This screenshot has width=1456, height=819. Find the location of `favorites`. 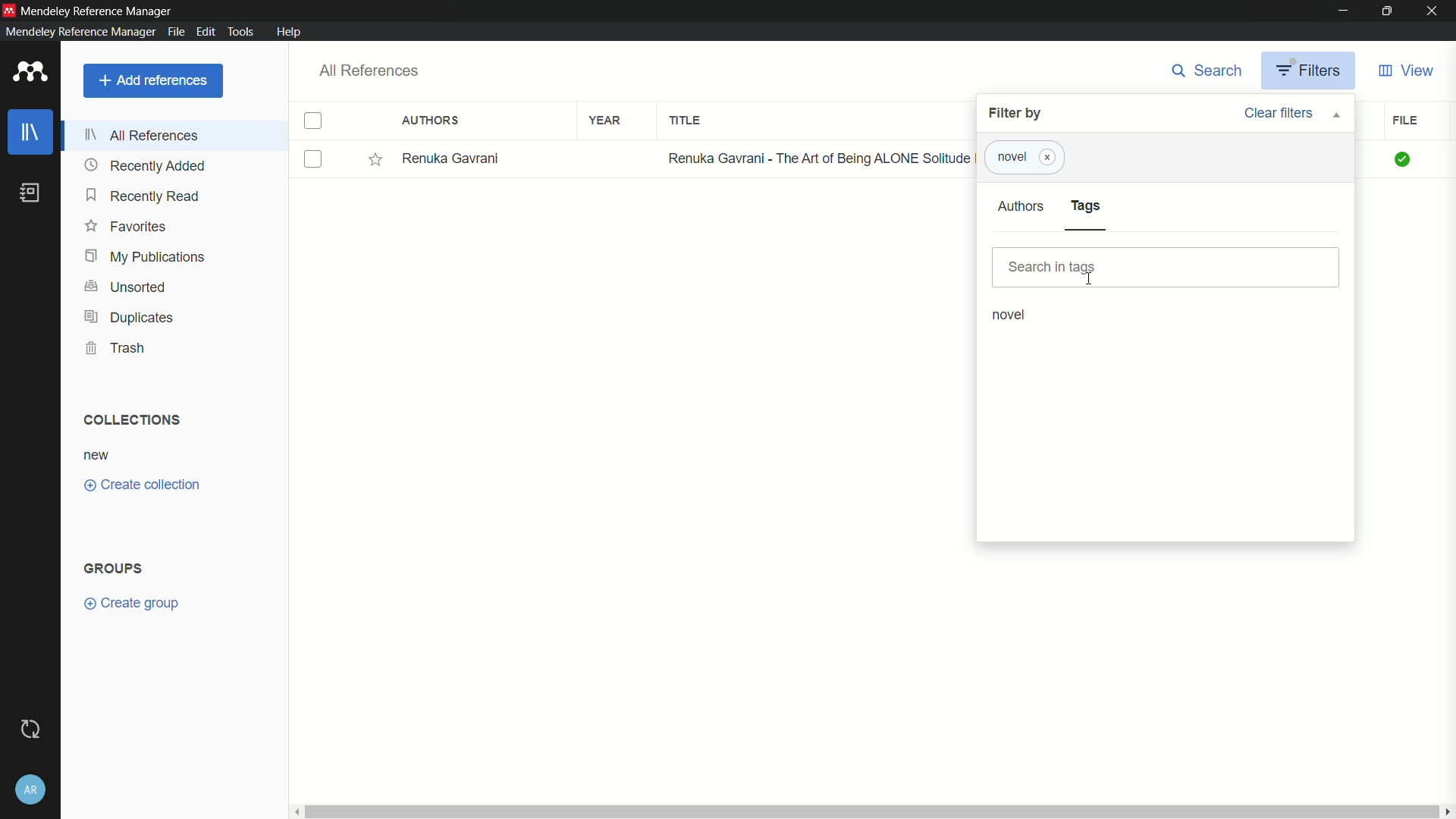

favorites is located at coordinates (127, 227).